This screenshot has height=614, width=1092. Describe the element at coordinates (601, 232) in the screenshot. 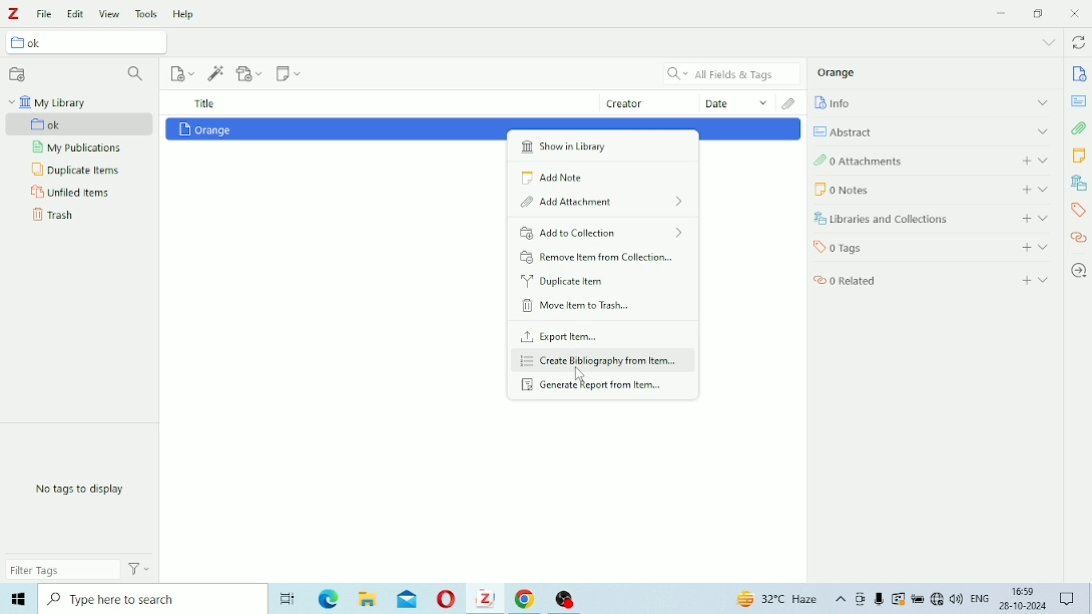

I see `Add to Collection` at that location.